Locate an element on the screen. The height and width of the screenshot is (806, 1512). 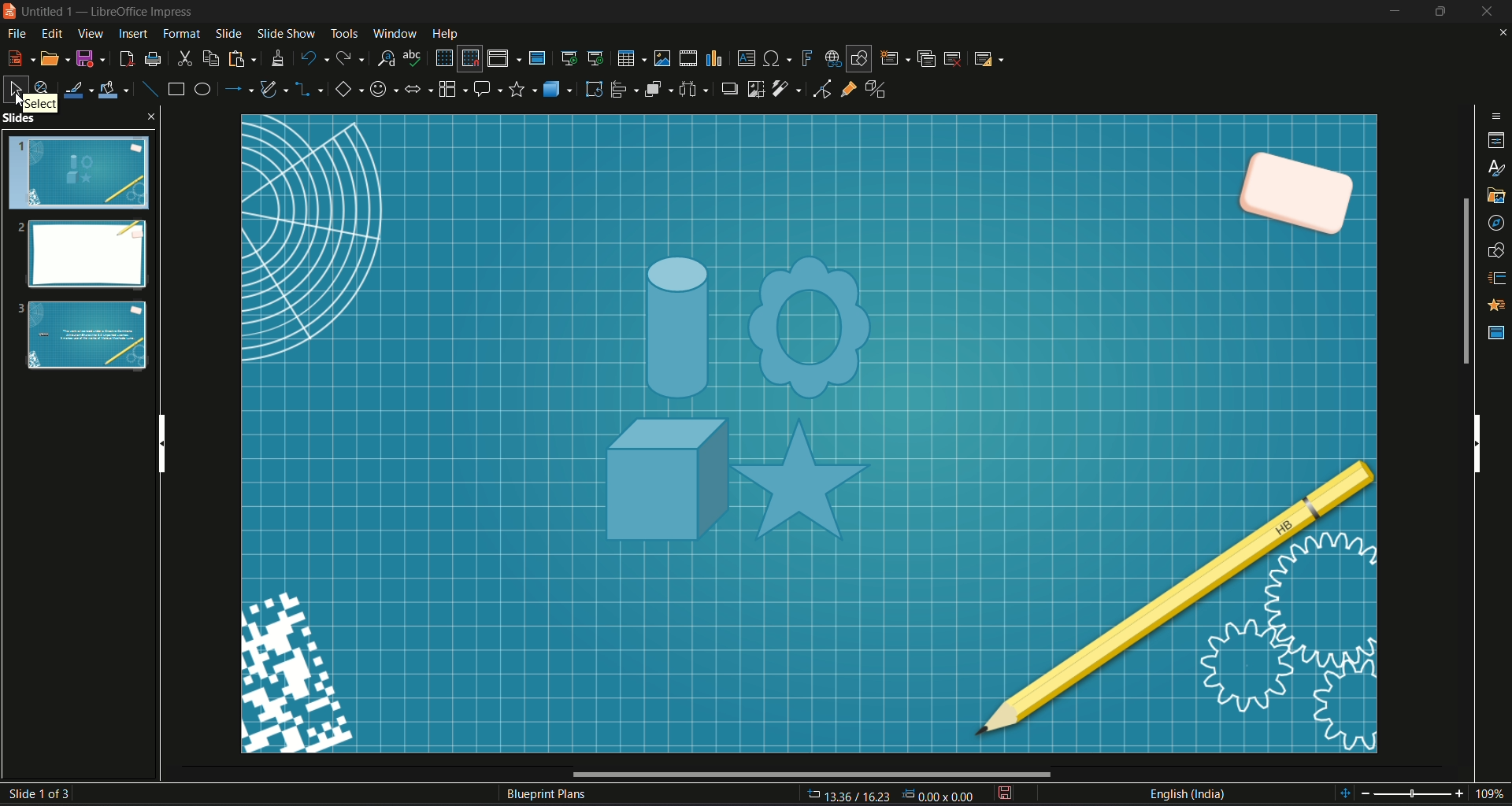
insert textbox is located at coordinates (745, 57).